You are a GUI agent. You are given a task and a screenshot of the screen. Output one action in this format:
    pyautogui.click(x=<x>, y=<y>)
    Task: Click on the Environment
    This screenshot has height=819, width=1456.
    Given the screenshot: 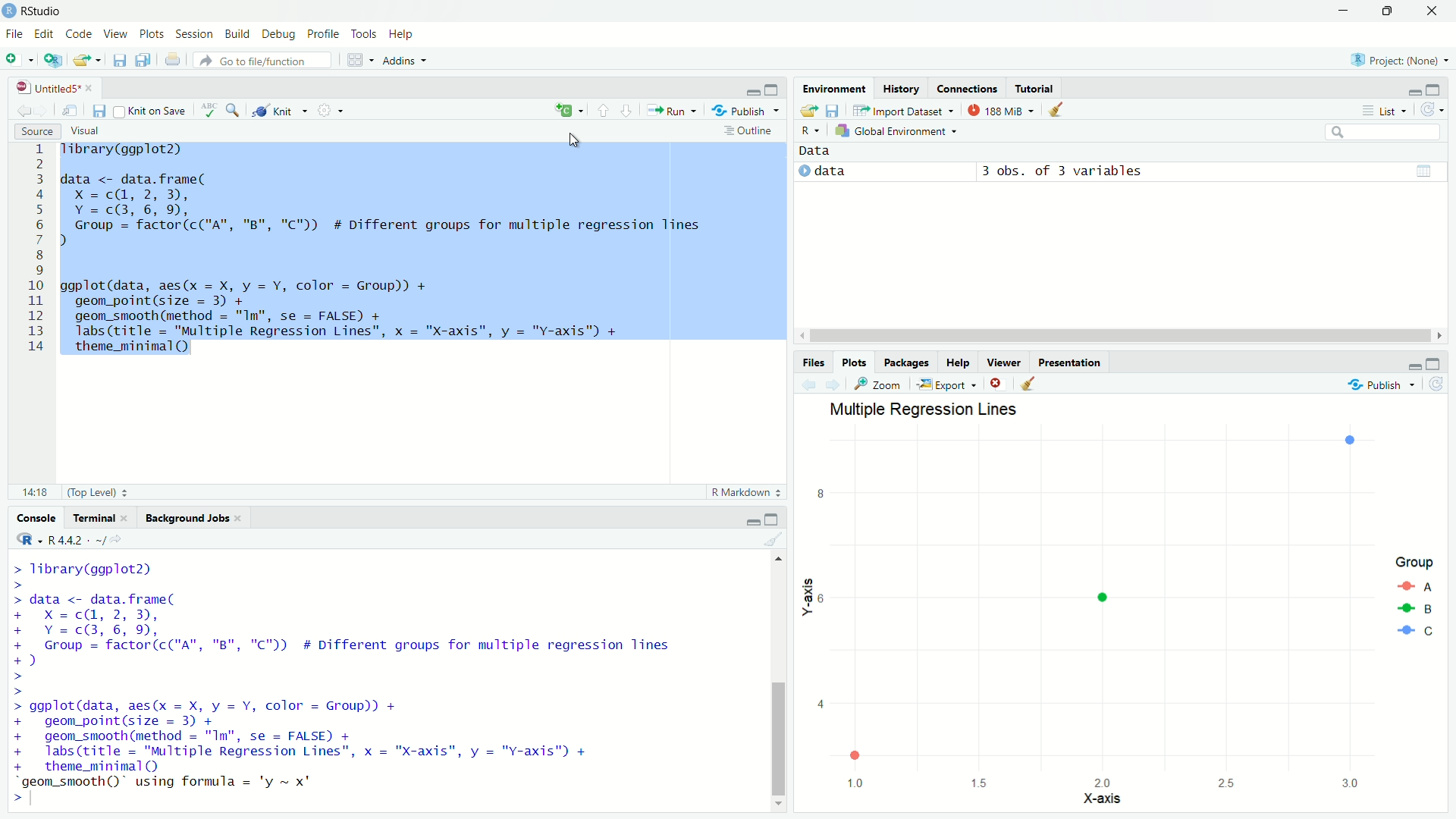 What is the action you would take?
    pyautogui.click(x=835, y=89)
    